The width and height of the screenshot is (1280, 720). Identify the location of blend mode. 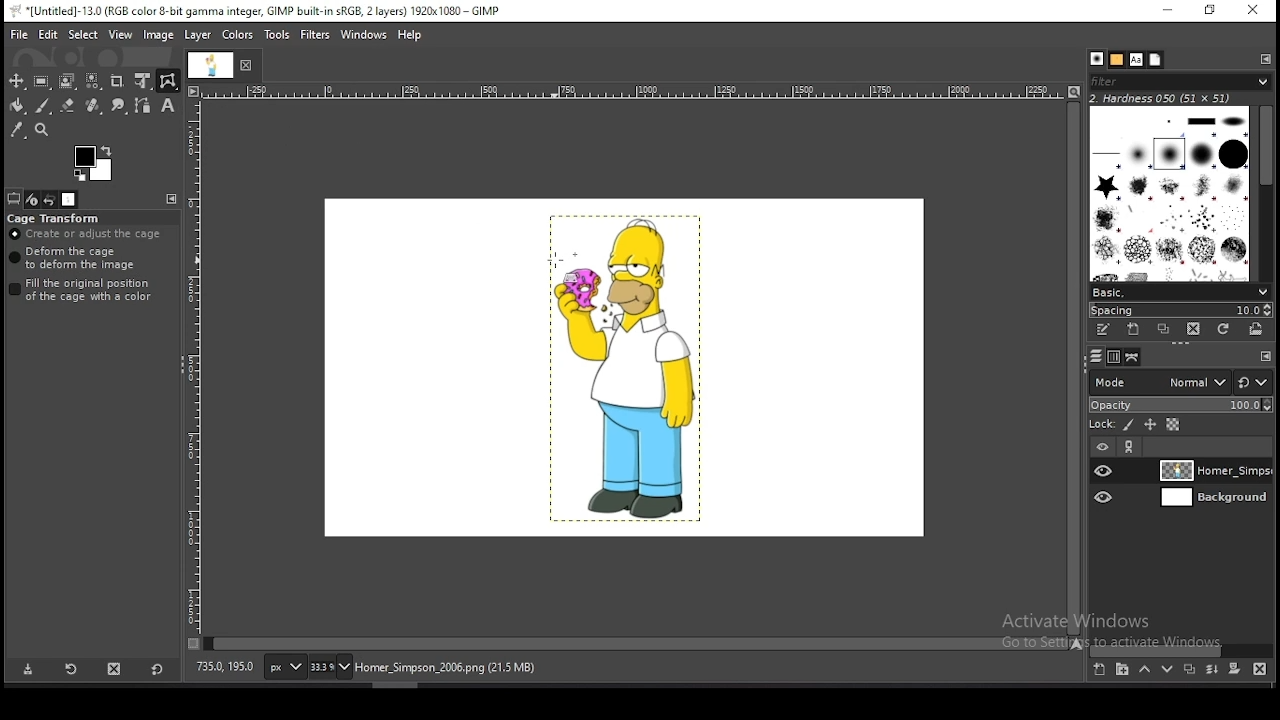
(1155, 381).